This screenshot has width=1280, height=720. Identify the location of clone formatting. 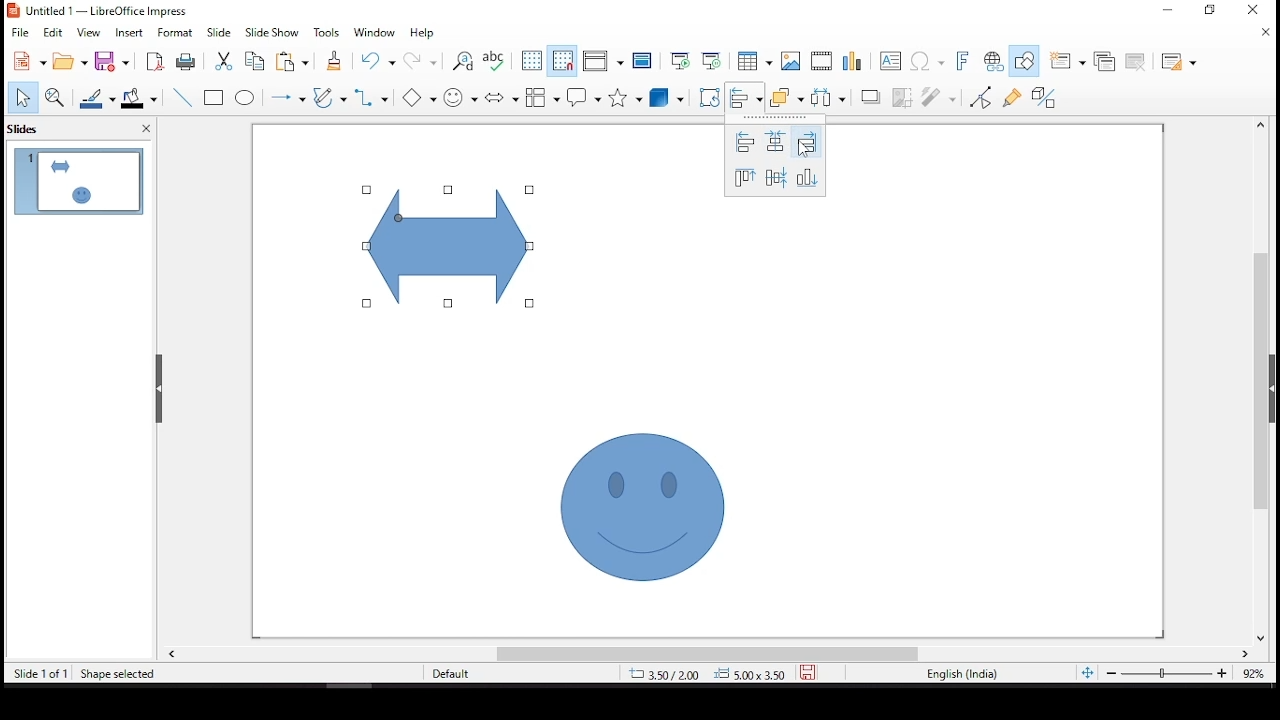
(338, 62).